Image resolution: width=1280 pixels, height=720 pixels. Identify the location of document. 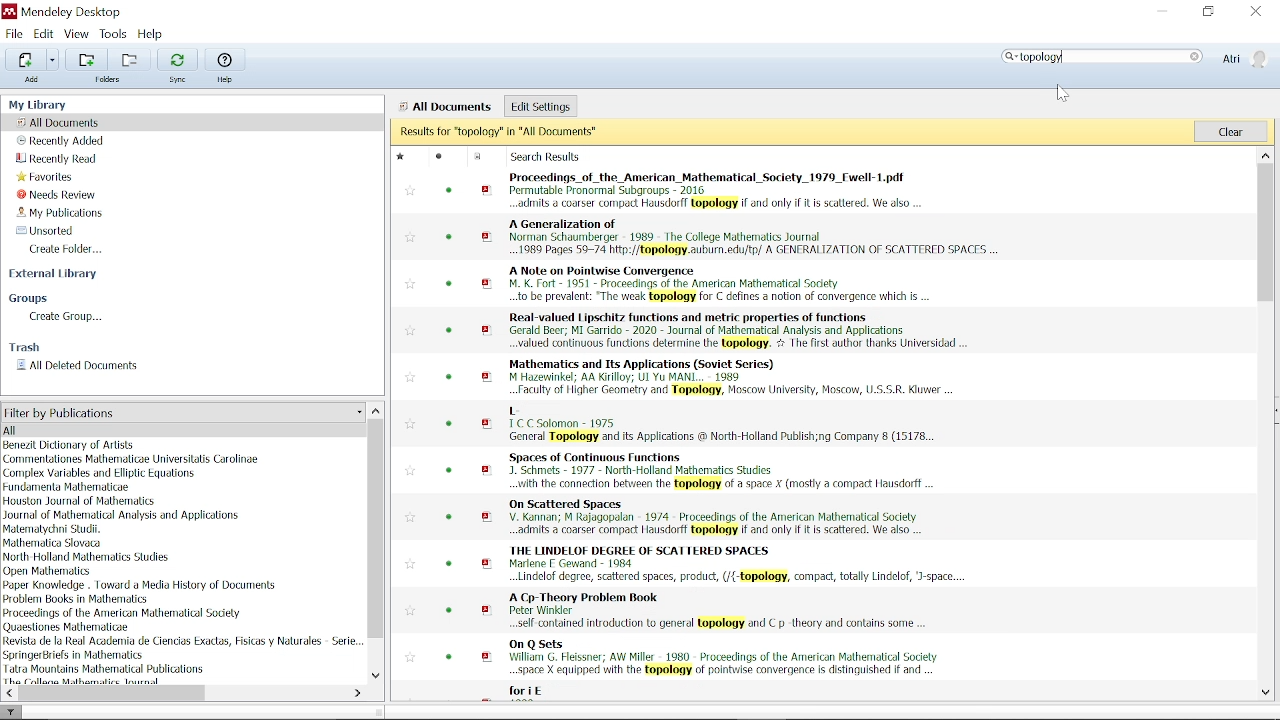
(480, 157).